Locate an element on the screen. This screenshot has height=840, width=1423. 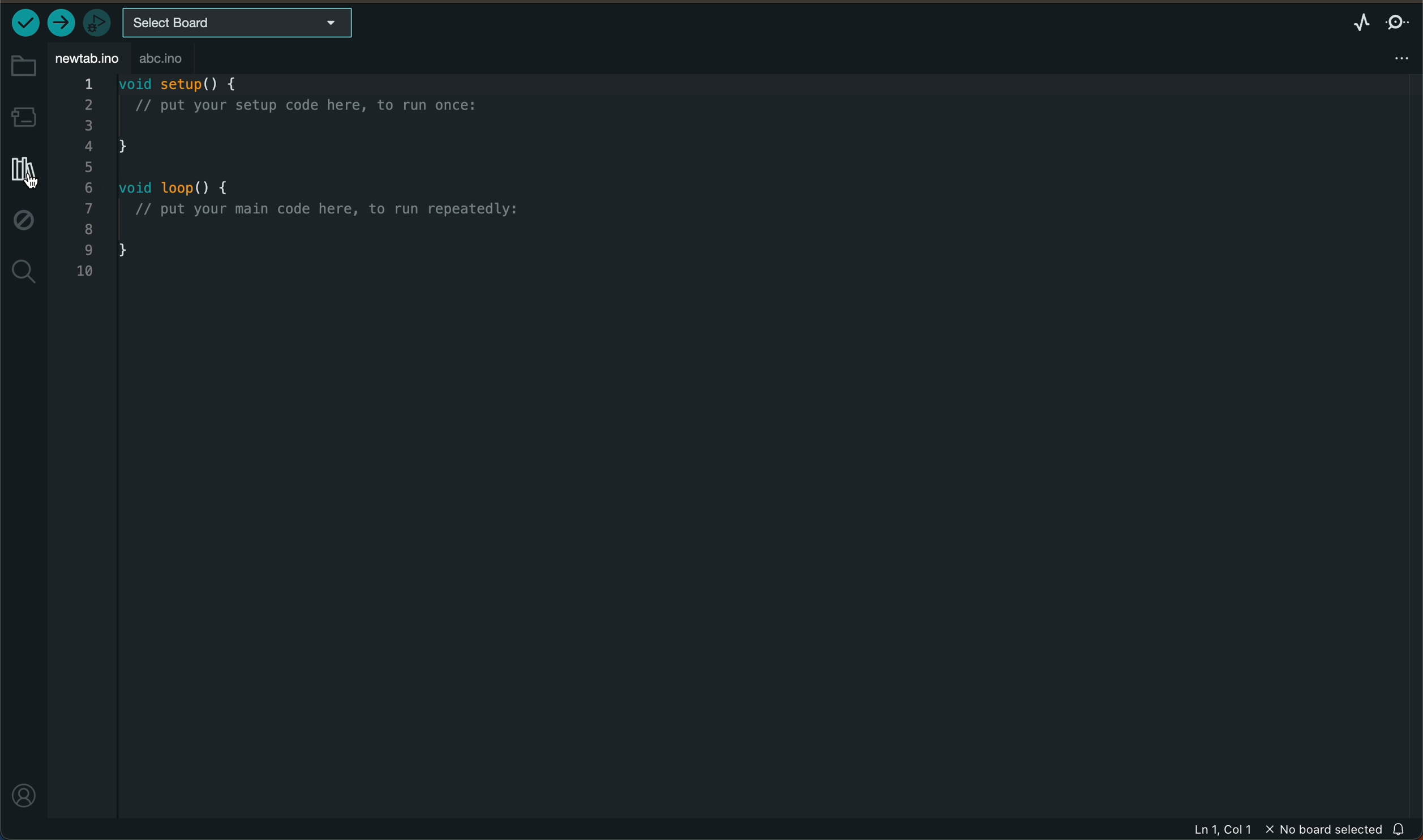
board manager is located at coordinates (23, 116).